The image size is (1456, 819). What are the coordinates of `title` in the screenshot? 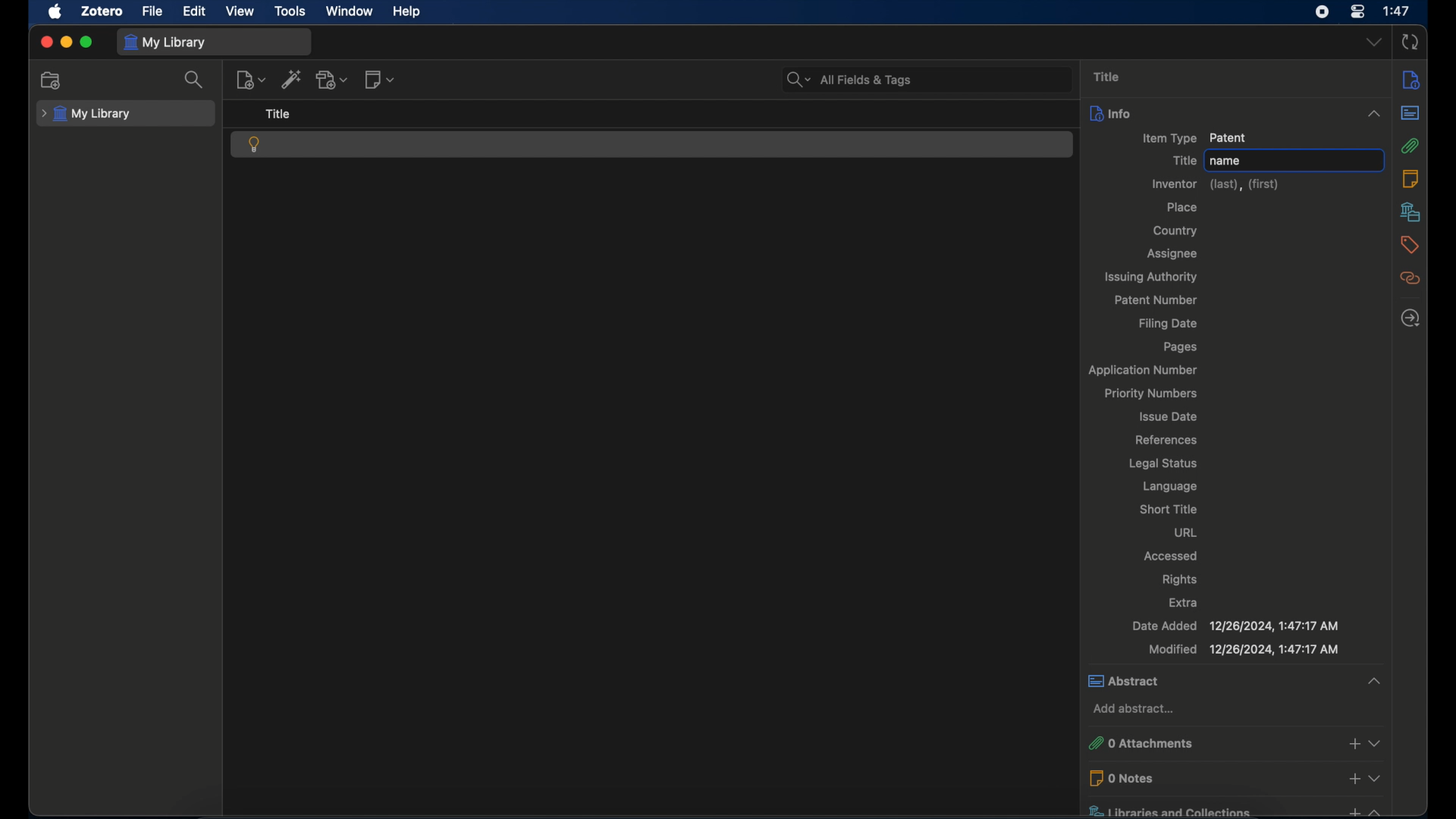 It's located at (1109, 76).